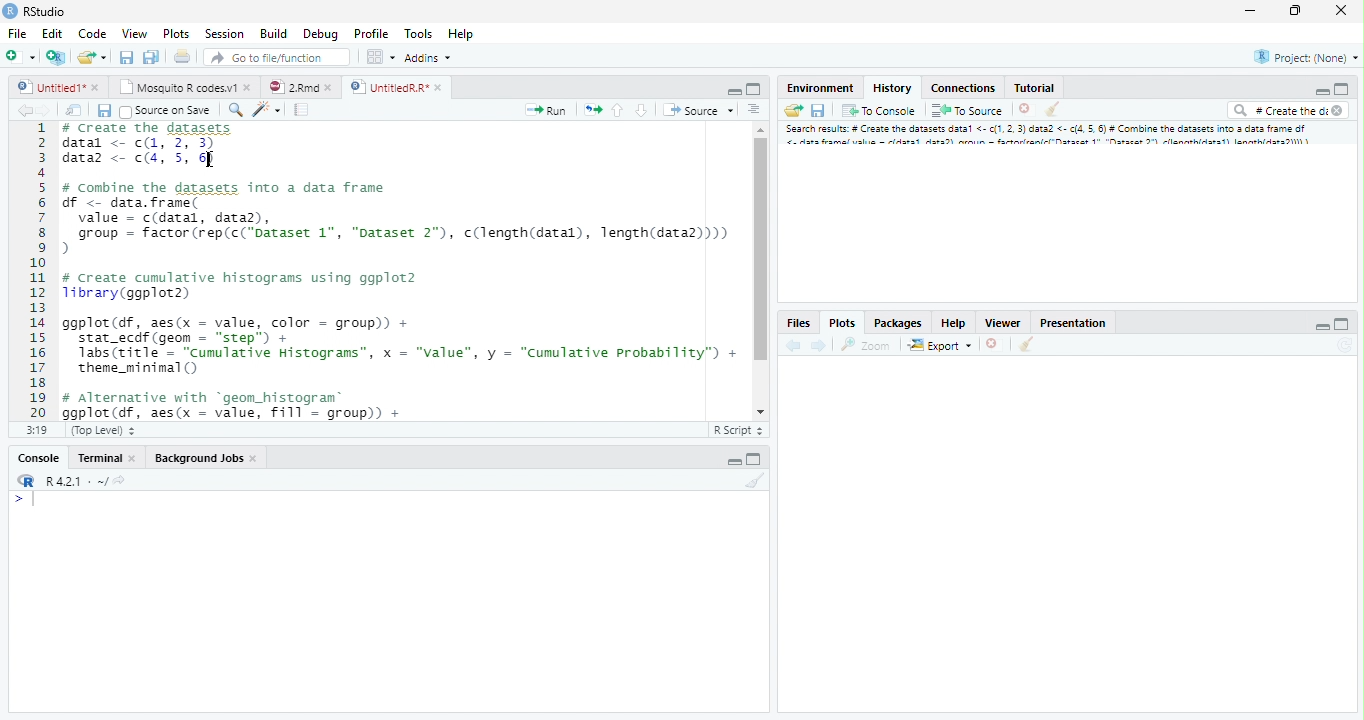 The width and height of the screenshot is (1364, 720). Describe the element at coordinates (41, 430) in the screenshot. I see `1:1` at that location.